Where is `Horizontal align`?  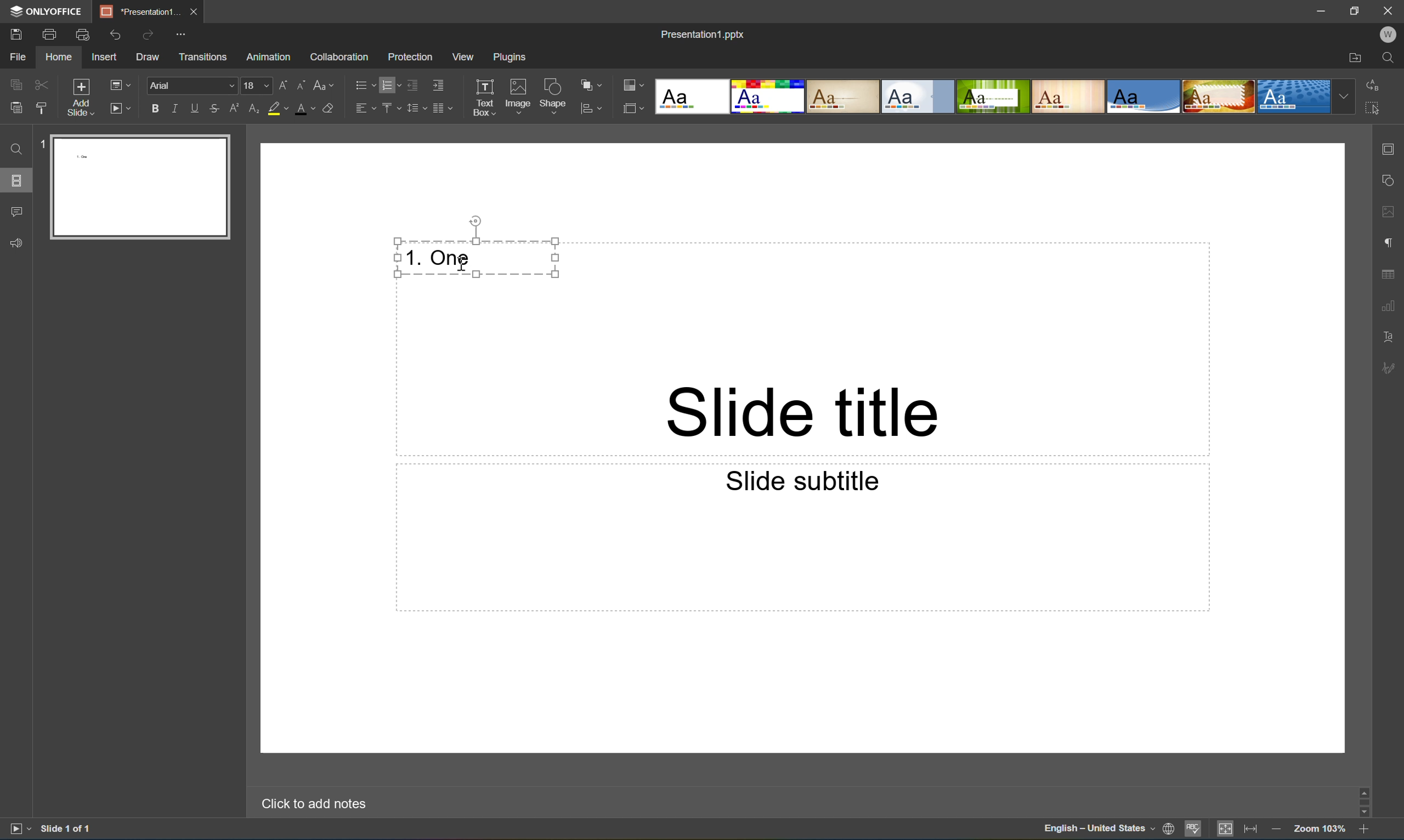
Horizontal align is located at coordinates (363, 107).